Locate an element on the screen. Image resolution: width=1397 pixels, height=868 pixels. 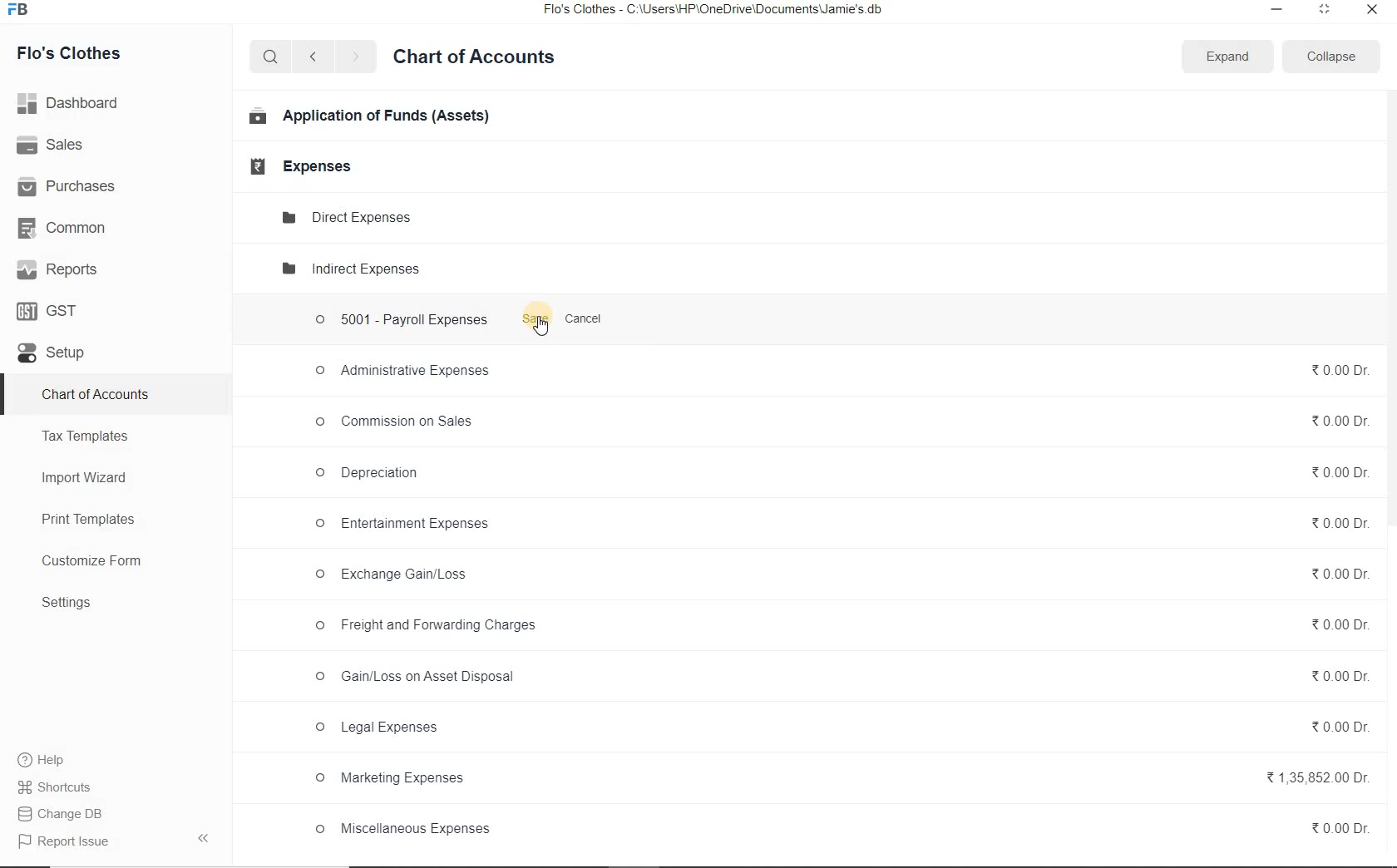
© Legal Expenses 0.00 Dr. is located at coordinates (841, 729).